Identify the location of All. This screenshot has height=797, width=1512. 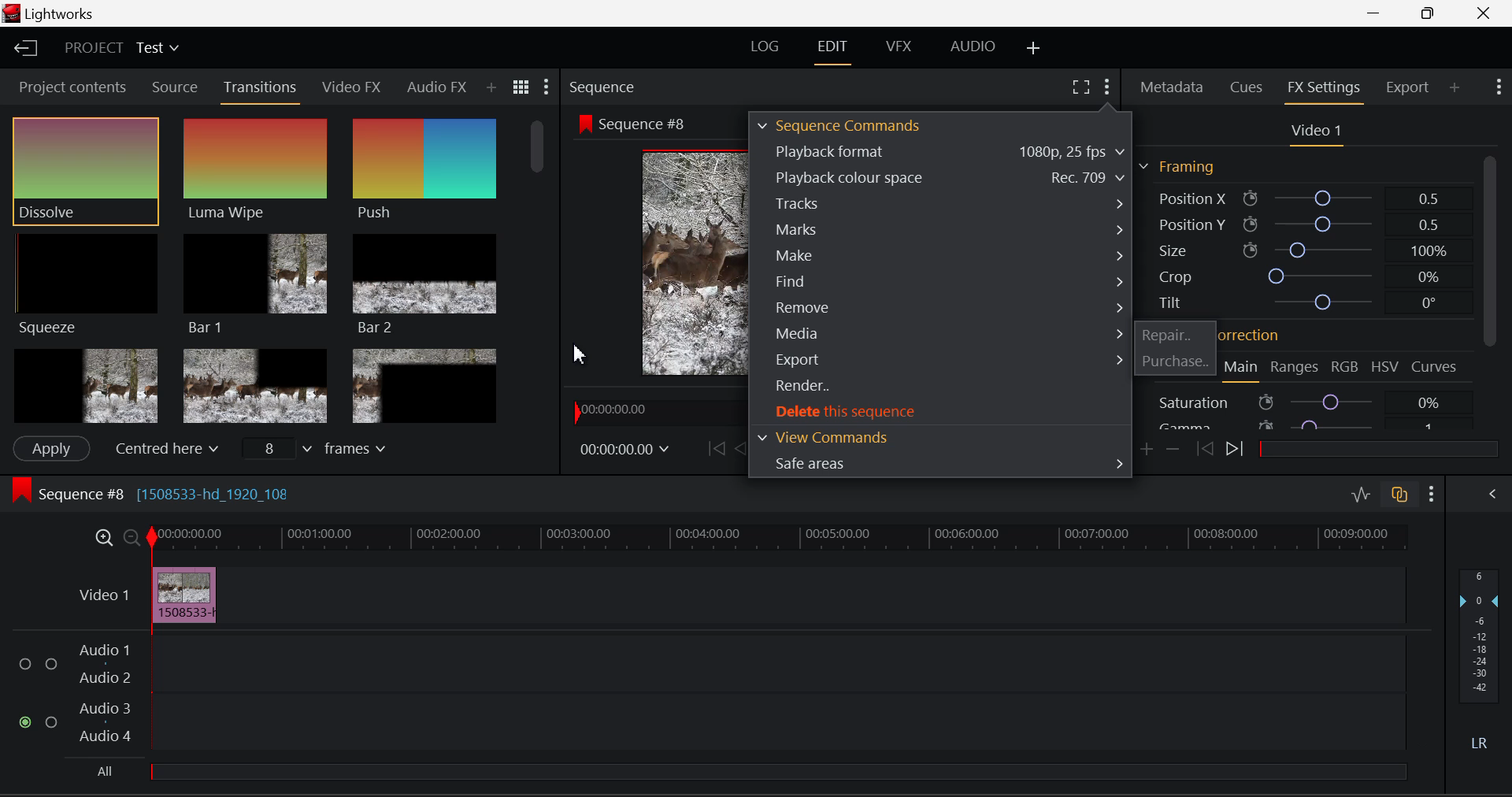
(108, 767).